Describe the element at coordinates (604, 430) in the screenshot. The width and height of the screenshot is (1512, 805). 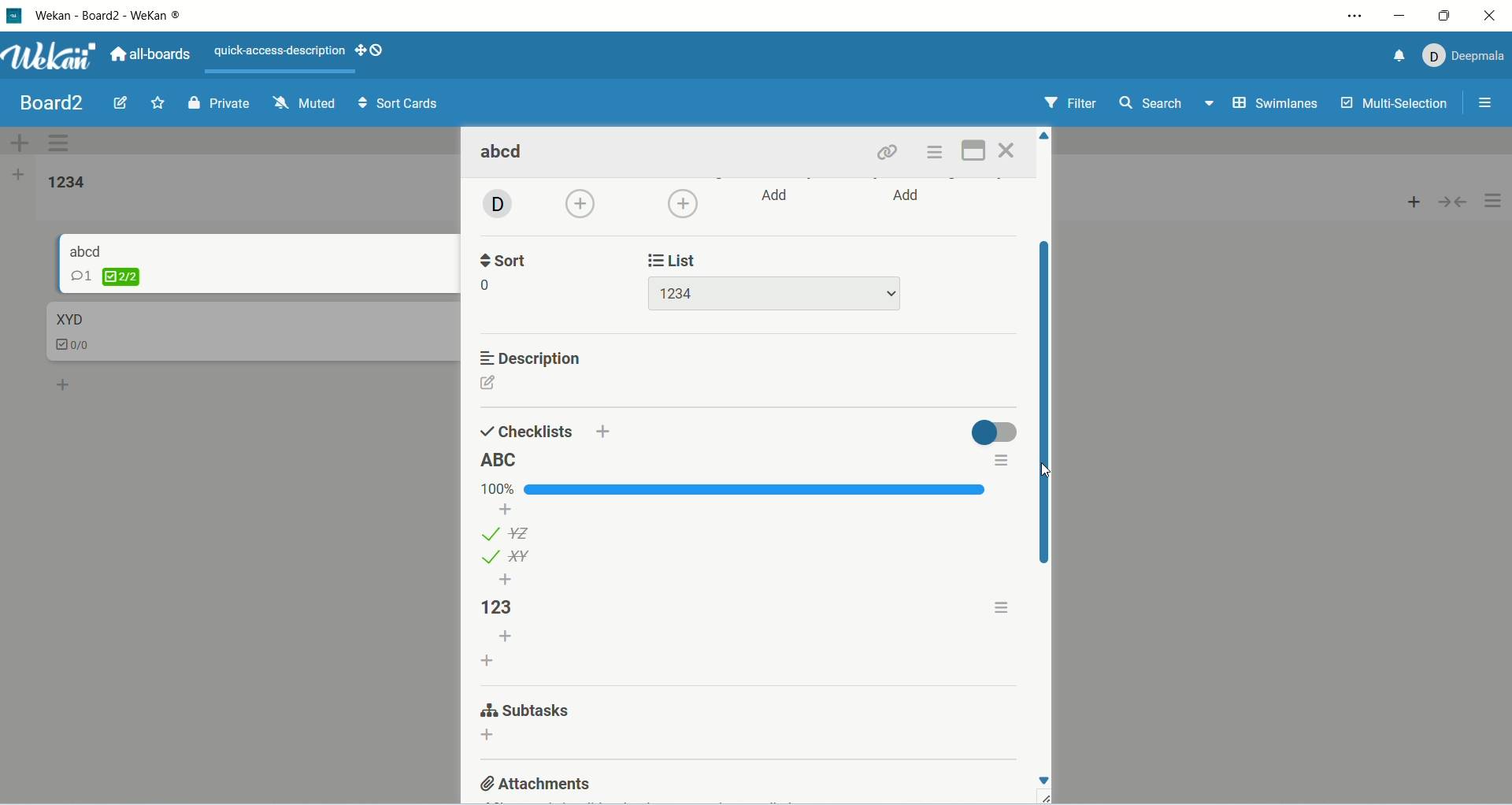
I see `add` at that location.